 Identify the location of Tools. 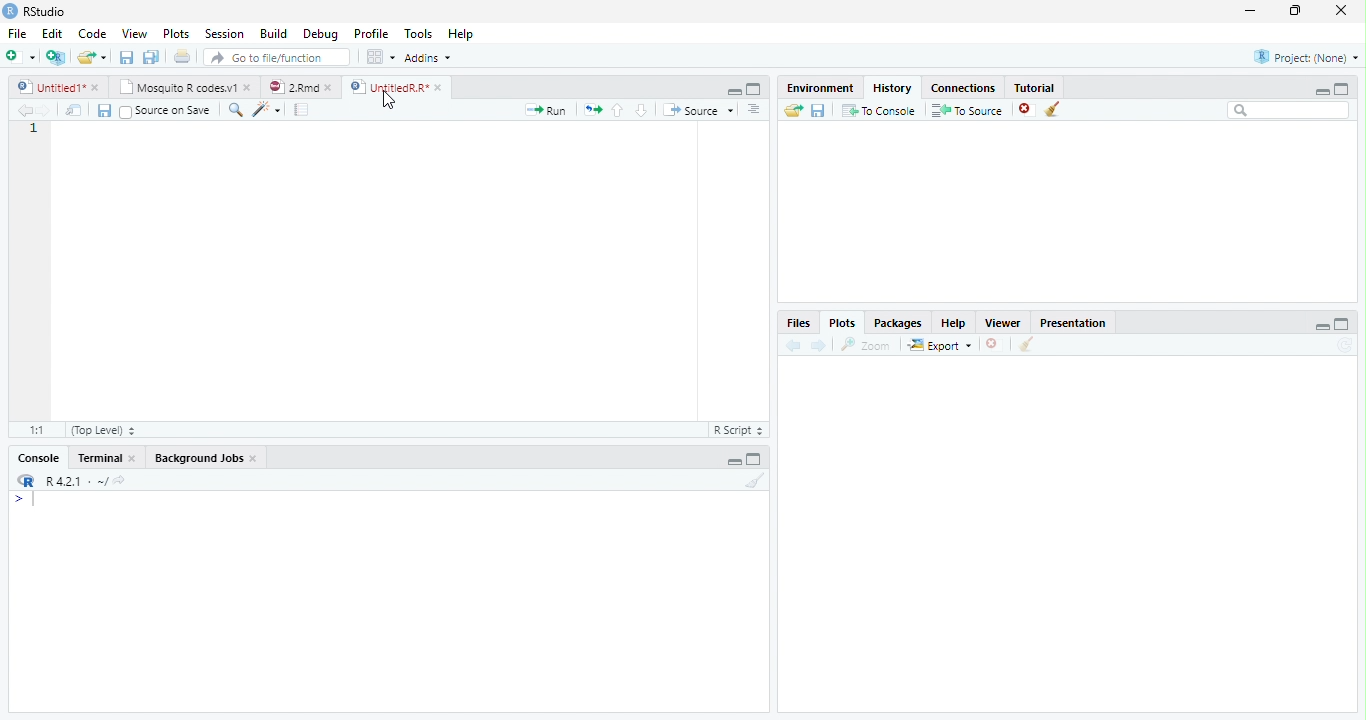
(418, 35).